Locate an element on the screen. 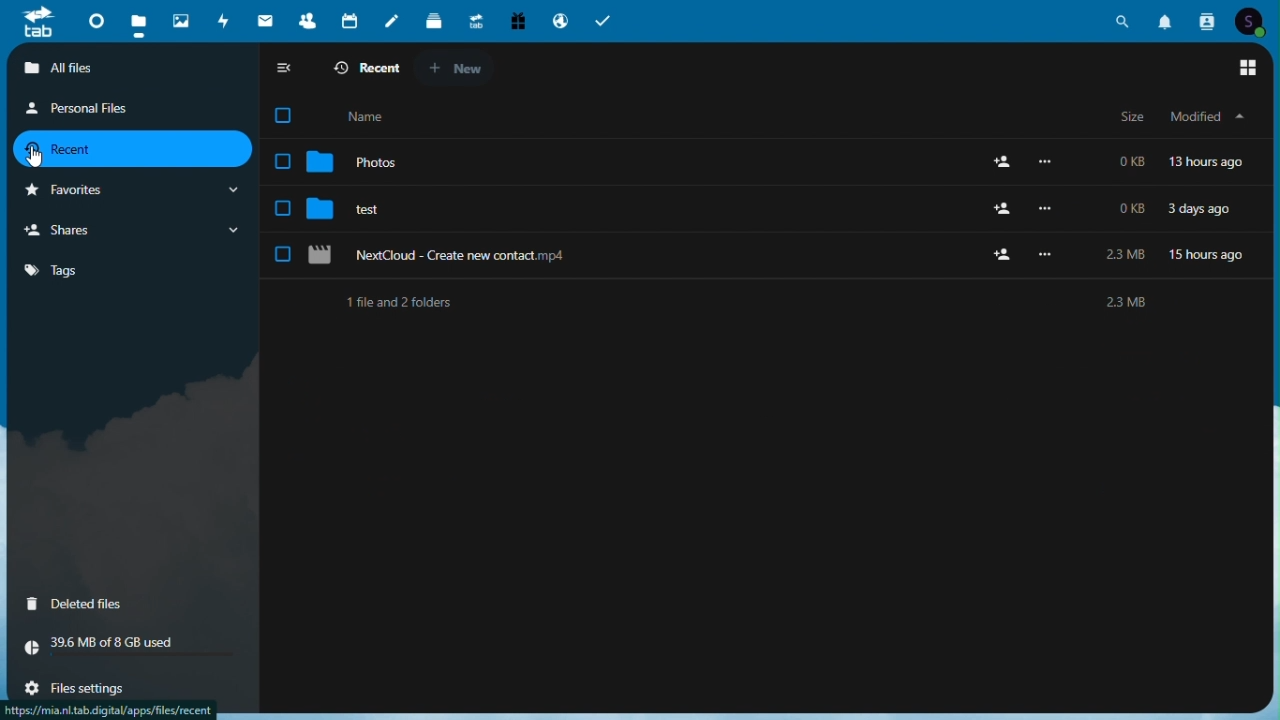 The image size is (1280, 720). contacts is located at coordinates (1207, 22).